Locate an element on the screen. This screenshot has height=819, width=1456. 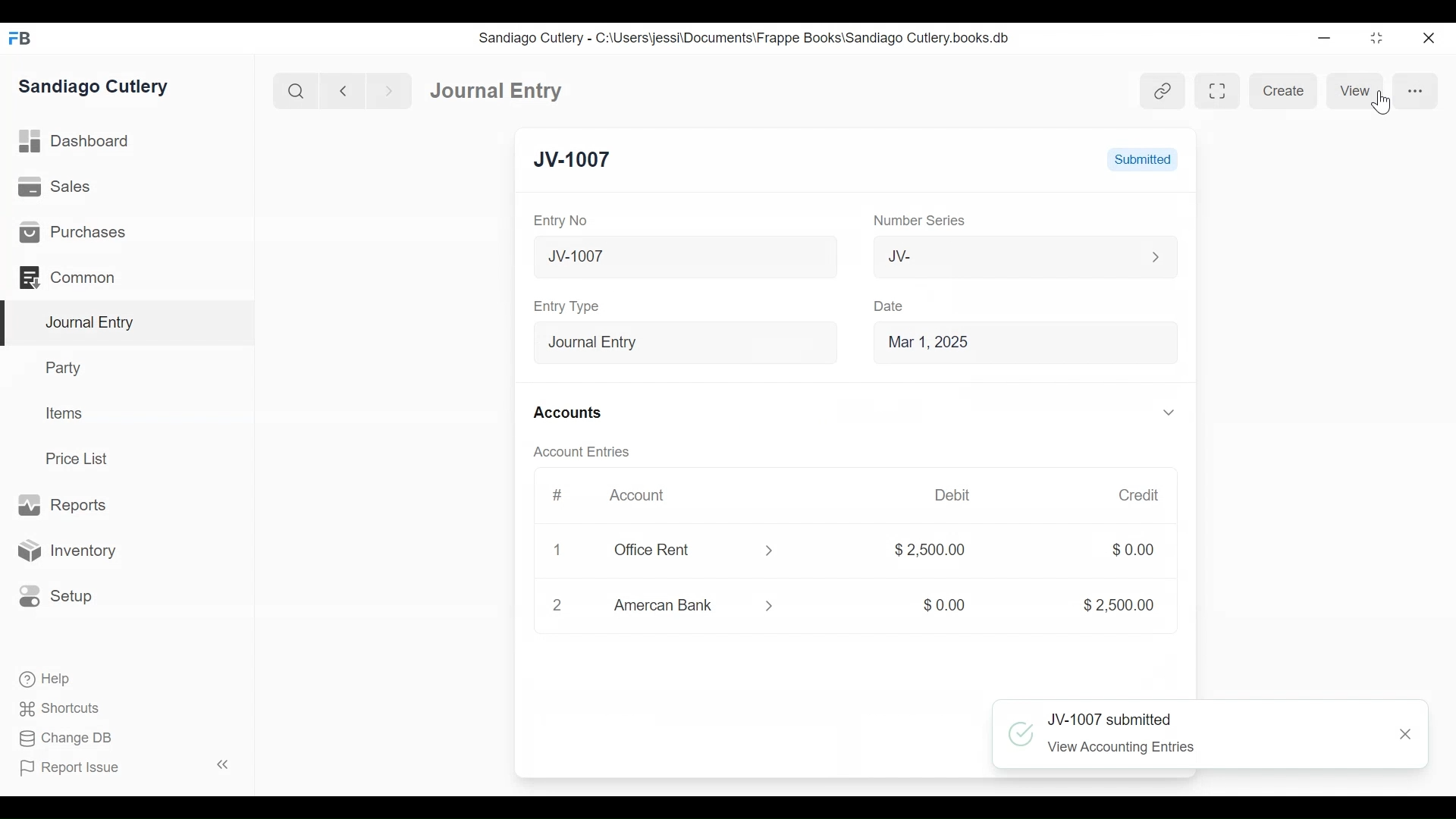
Jv- is located at coordinates (1007, 257).